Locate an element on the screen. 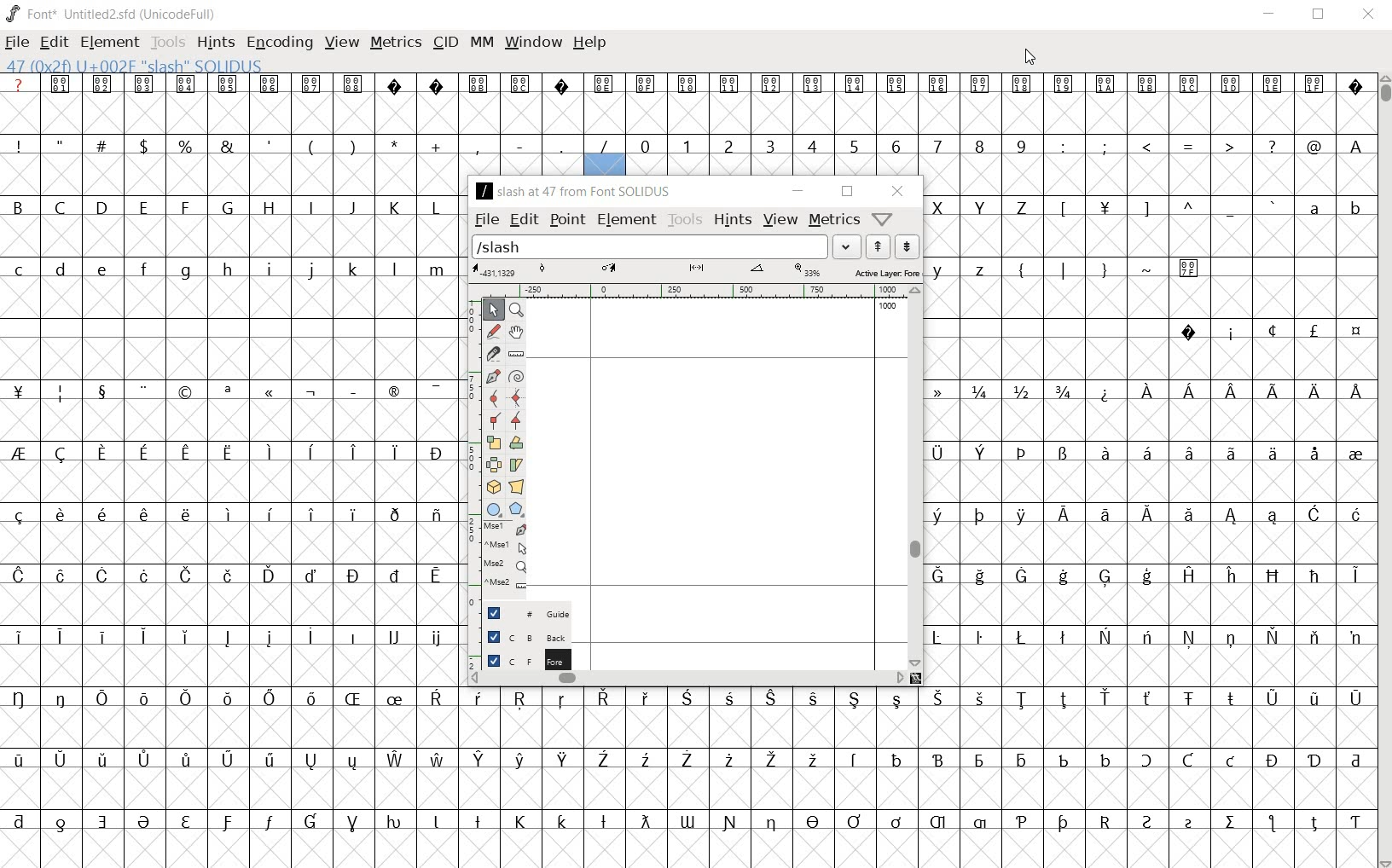  guide is located at coordinates (521, 610).